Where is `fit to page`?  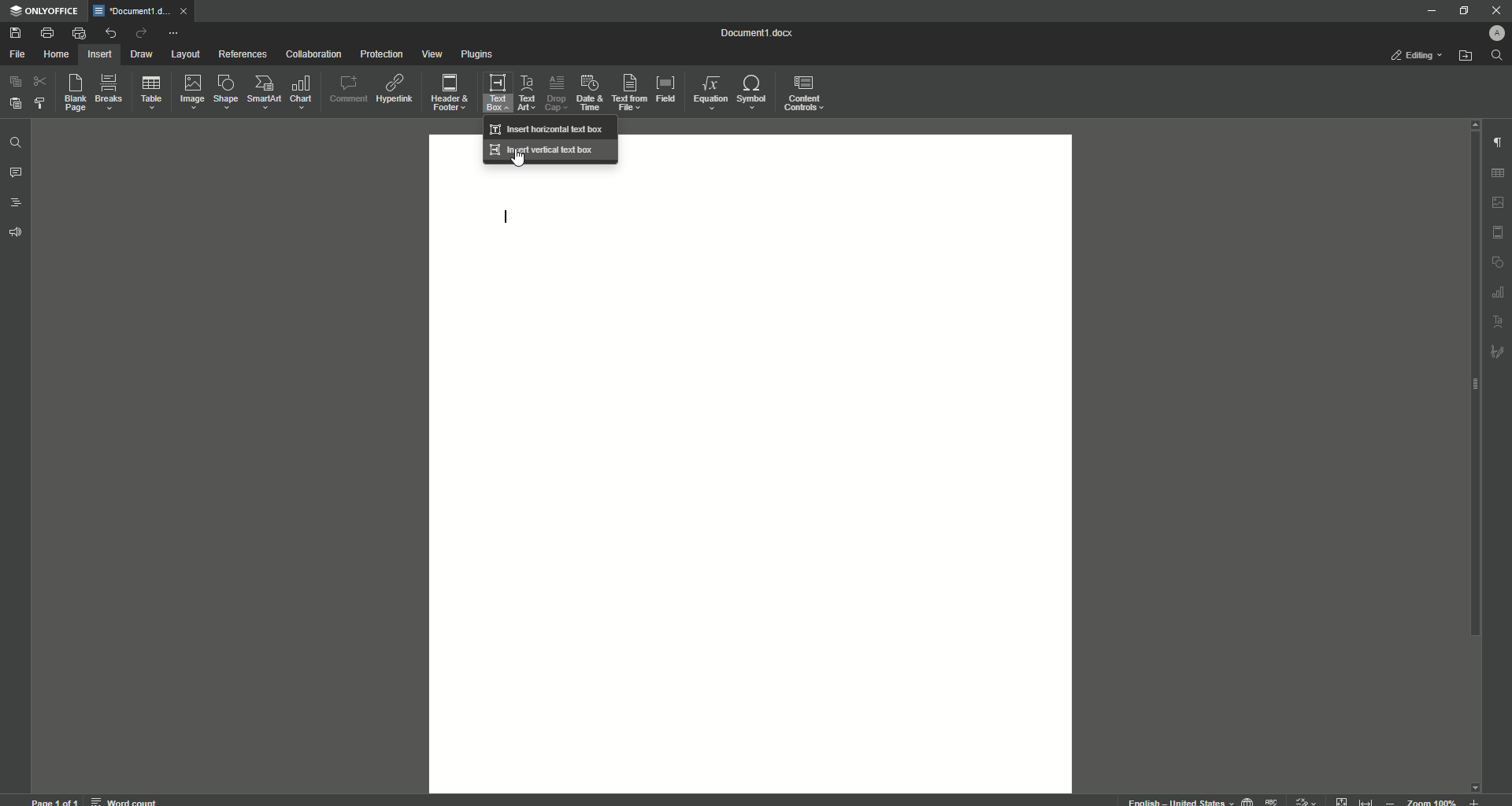 fit to page is located at coordinates (1343, 800).